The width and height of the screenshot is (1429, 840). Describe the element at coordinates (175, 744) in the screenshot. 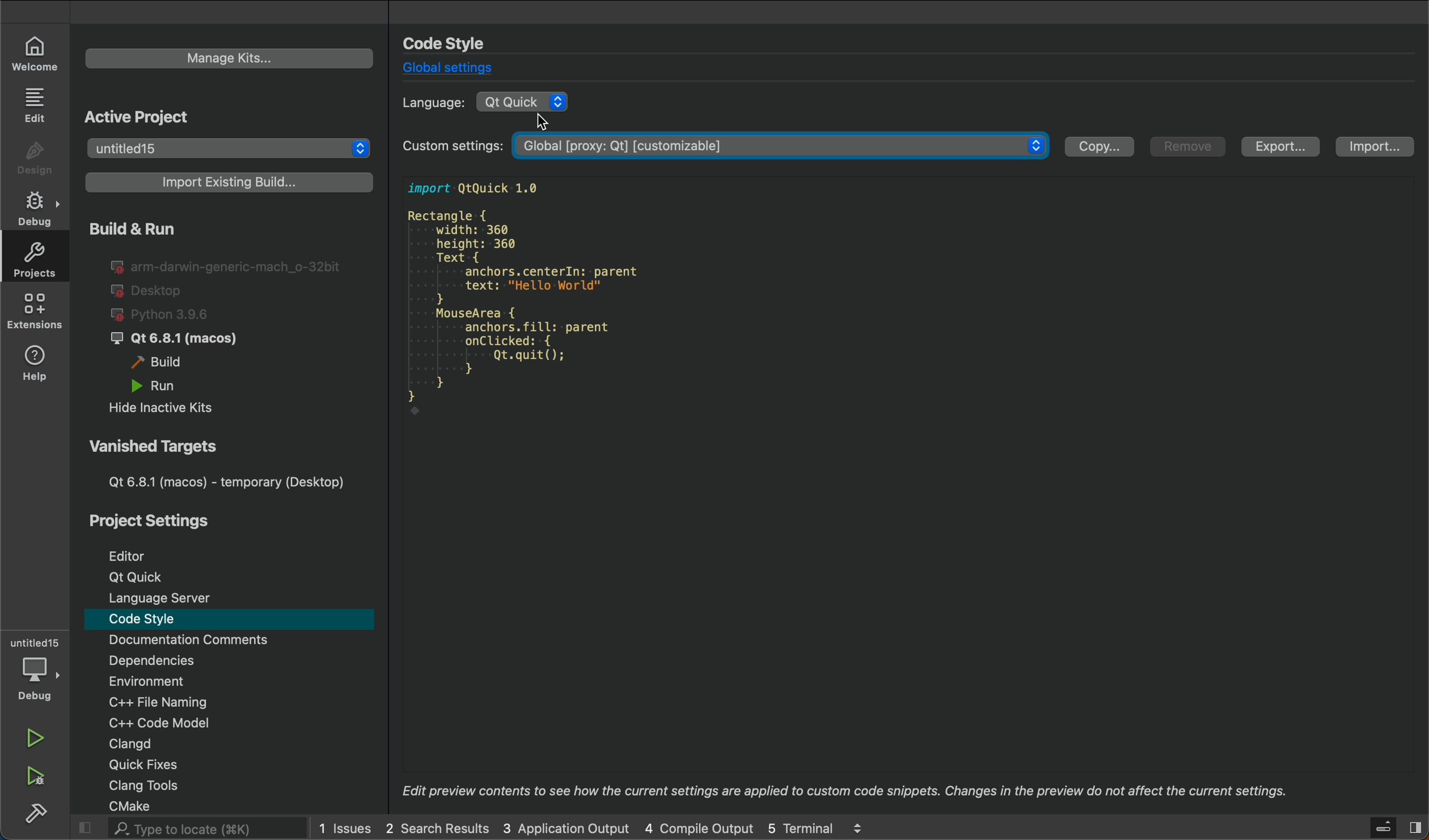

I see `clanged` at that location.